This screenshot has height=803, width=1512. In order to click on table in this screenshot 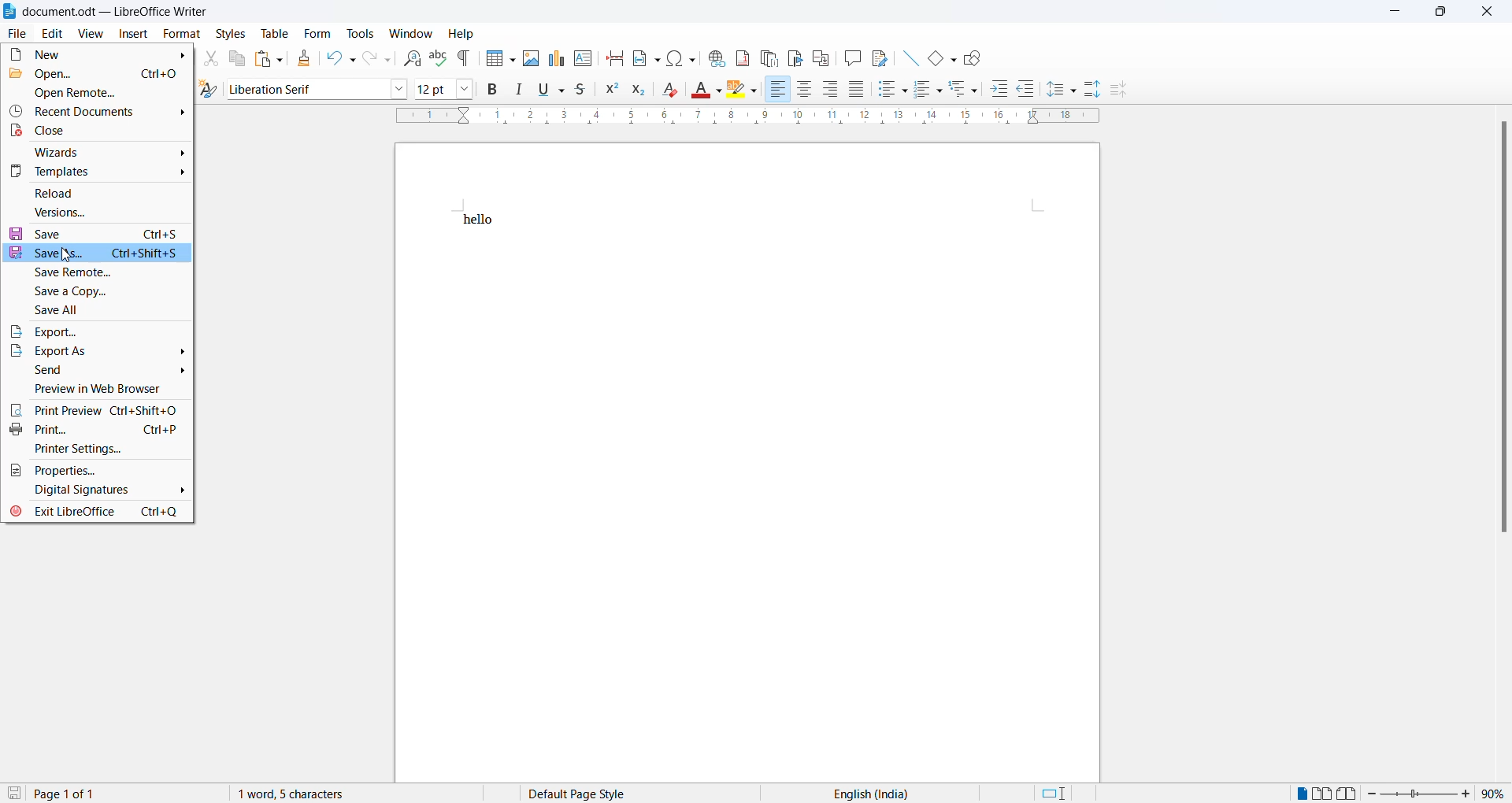, I will do `click(272, 33)`.